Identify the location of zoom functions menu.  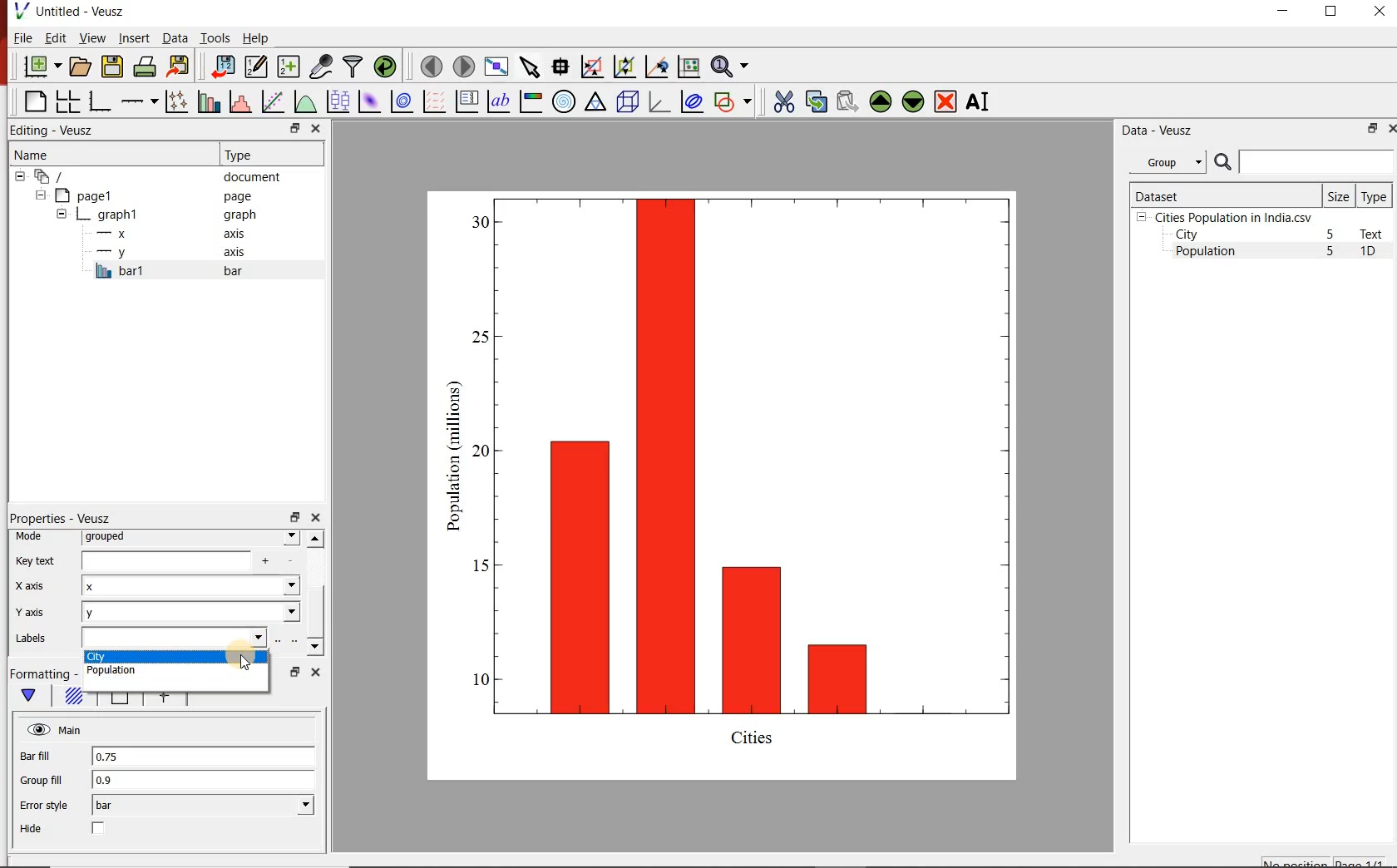
(733, 67).